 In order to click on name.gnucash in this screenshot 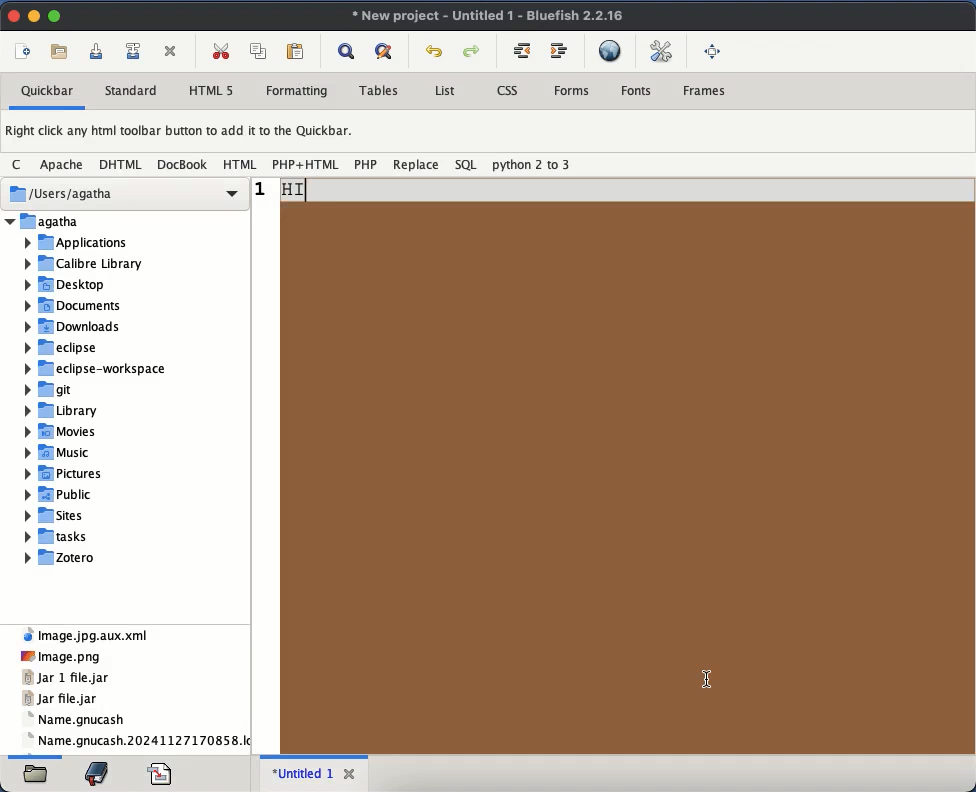, I will do `click(78, 718)`.